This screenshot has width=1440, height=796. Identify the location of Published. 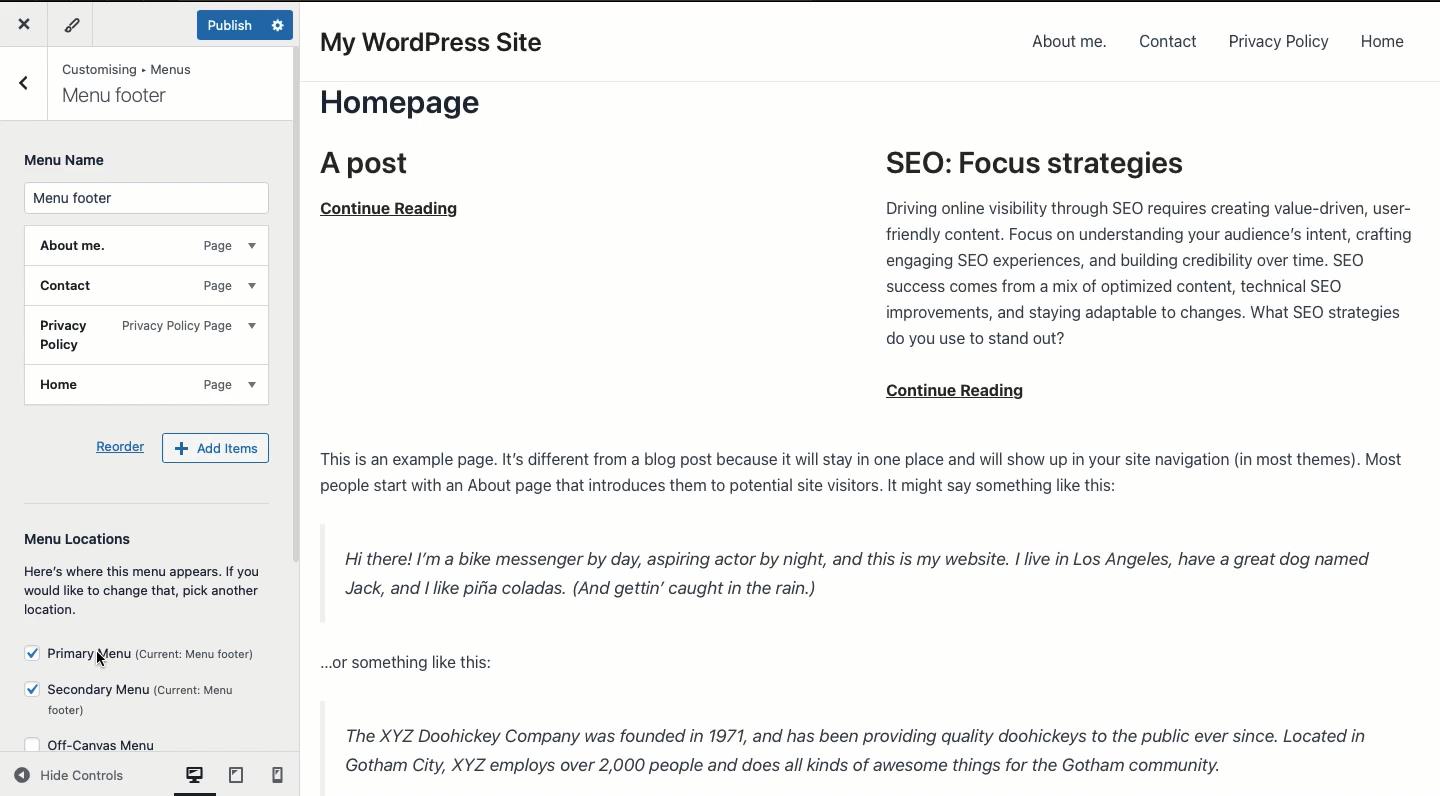
(242, 23).